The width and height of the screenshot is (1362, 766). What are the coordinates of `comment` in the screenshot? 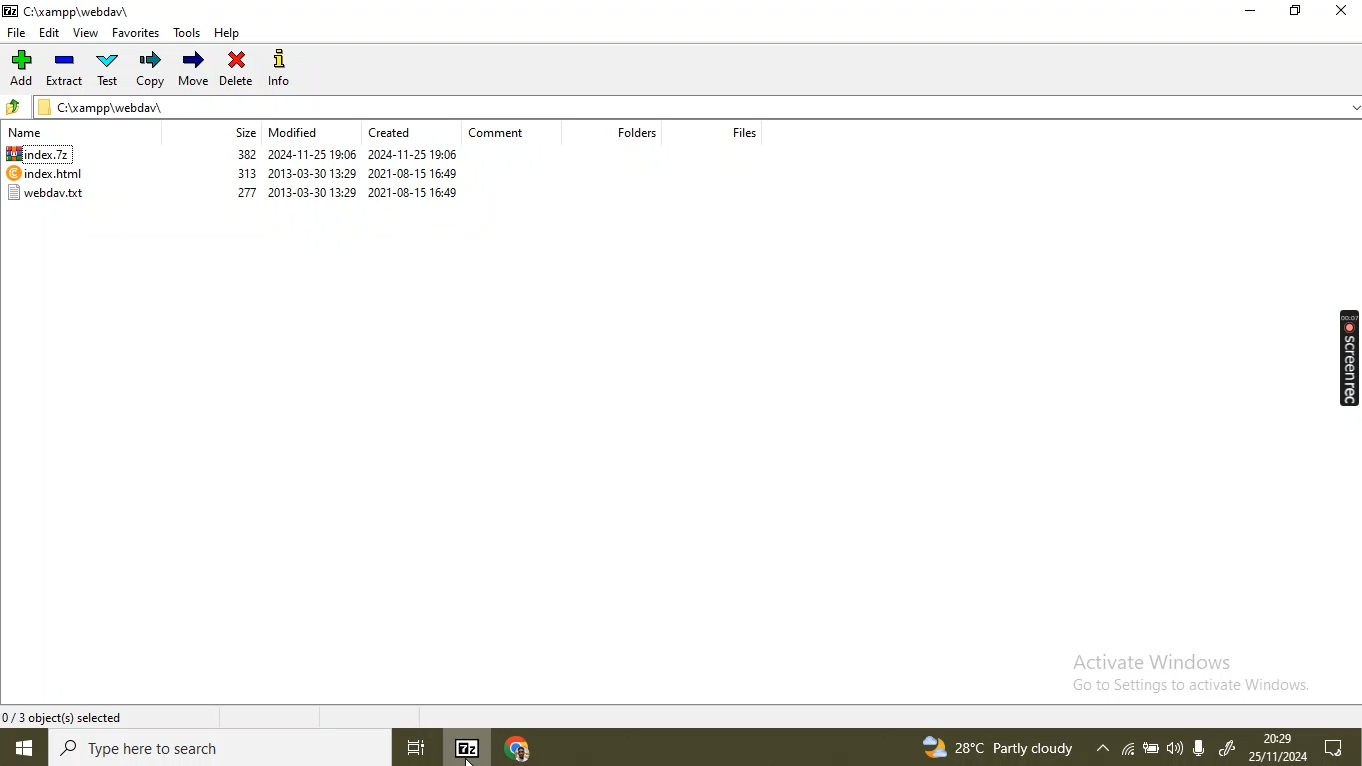 It's located at (512, 133).